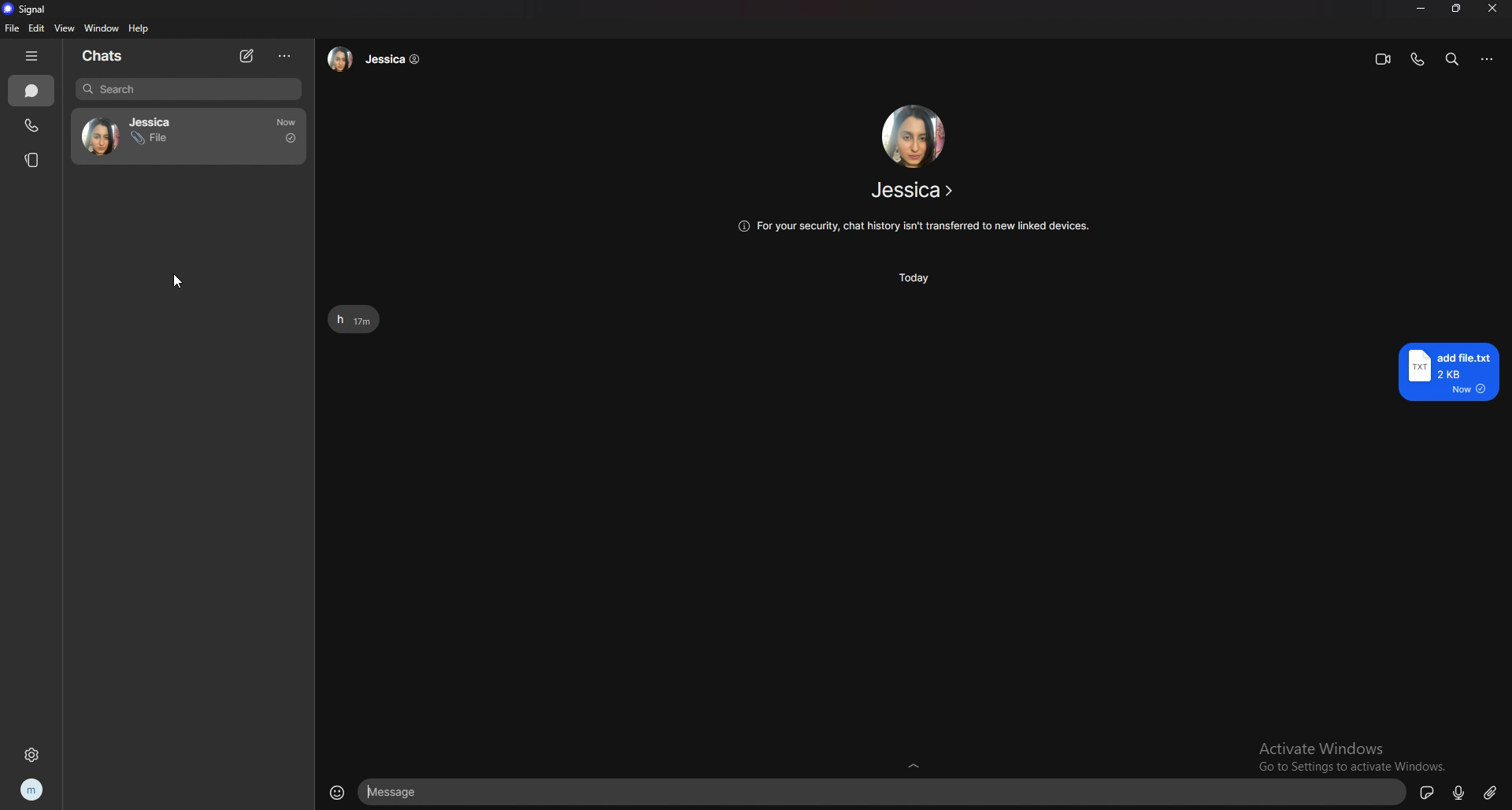  What do you see at coordinates (1420, 9) in the screenshot?
I see `minimize` at bounding box center [1420, 9].